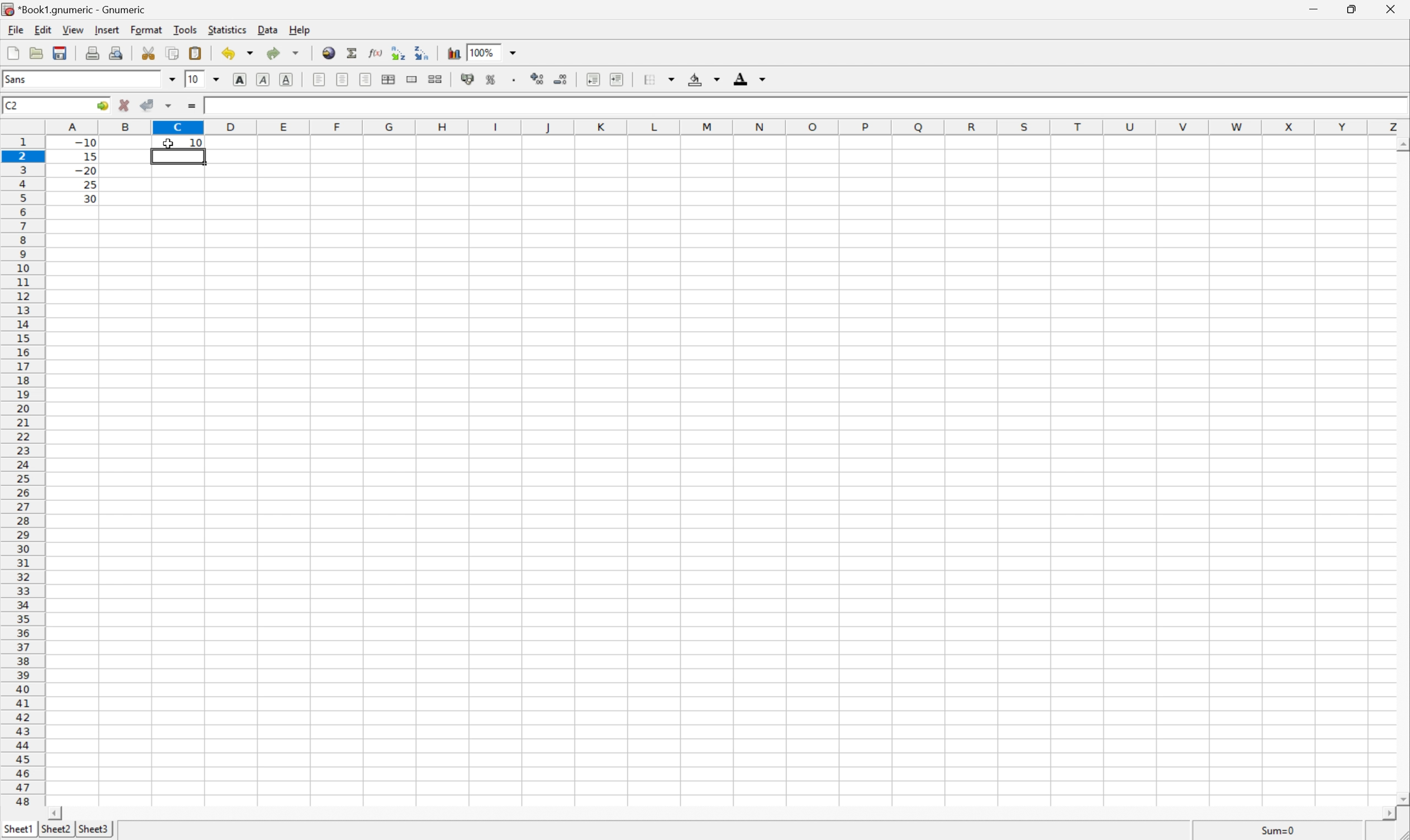  Describe the element at coordinates (1401, 797) in the screenshot. I see `Scroll down` at that location.